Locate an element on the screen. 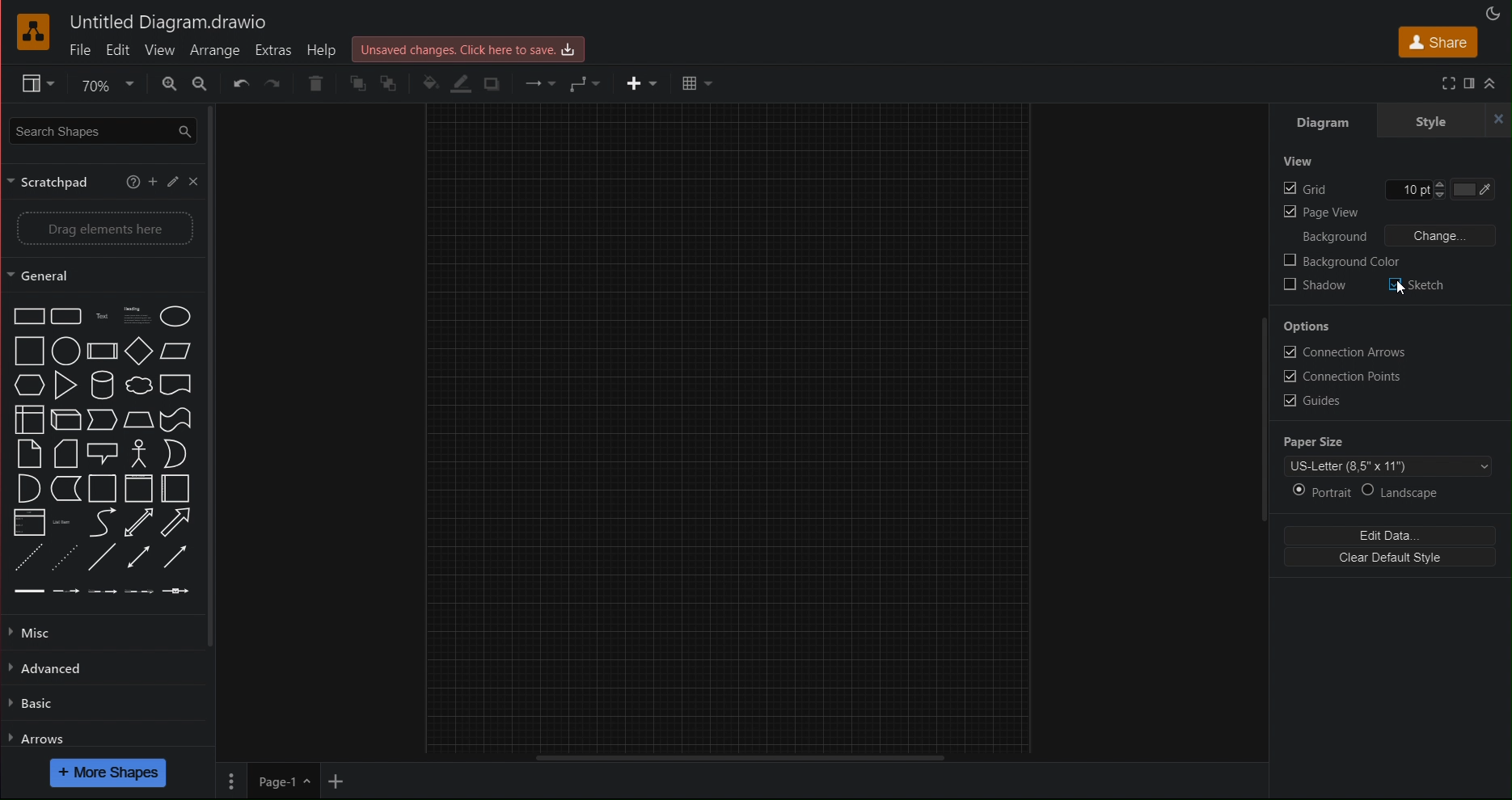 This screenshot has height=800, width=1512. vertical container is located at coordinates (140, 489).